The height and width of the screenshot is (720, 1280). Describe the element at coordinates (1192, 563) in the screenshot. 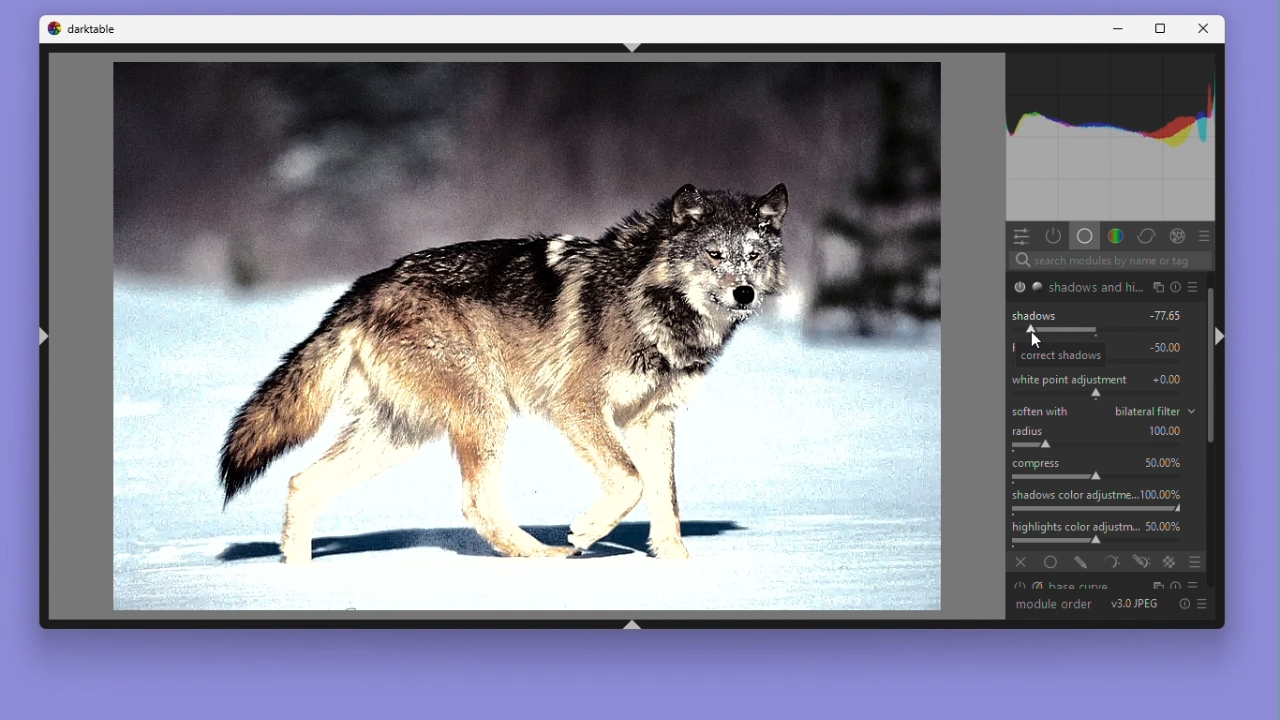

I see `blending options` at that location.